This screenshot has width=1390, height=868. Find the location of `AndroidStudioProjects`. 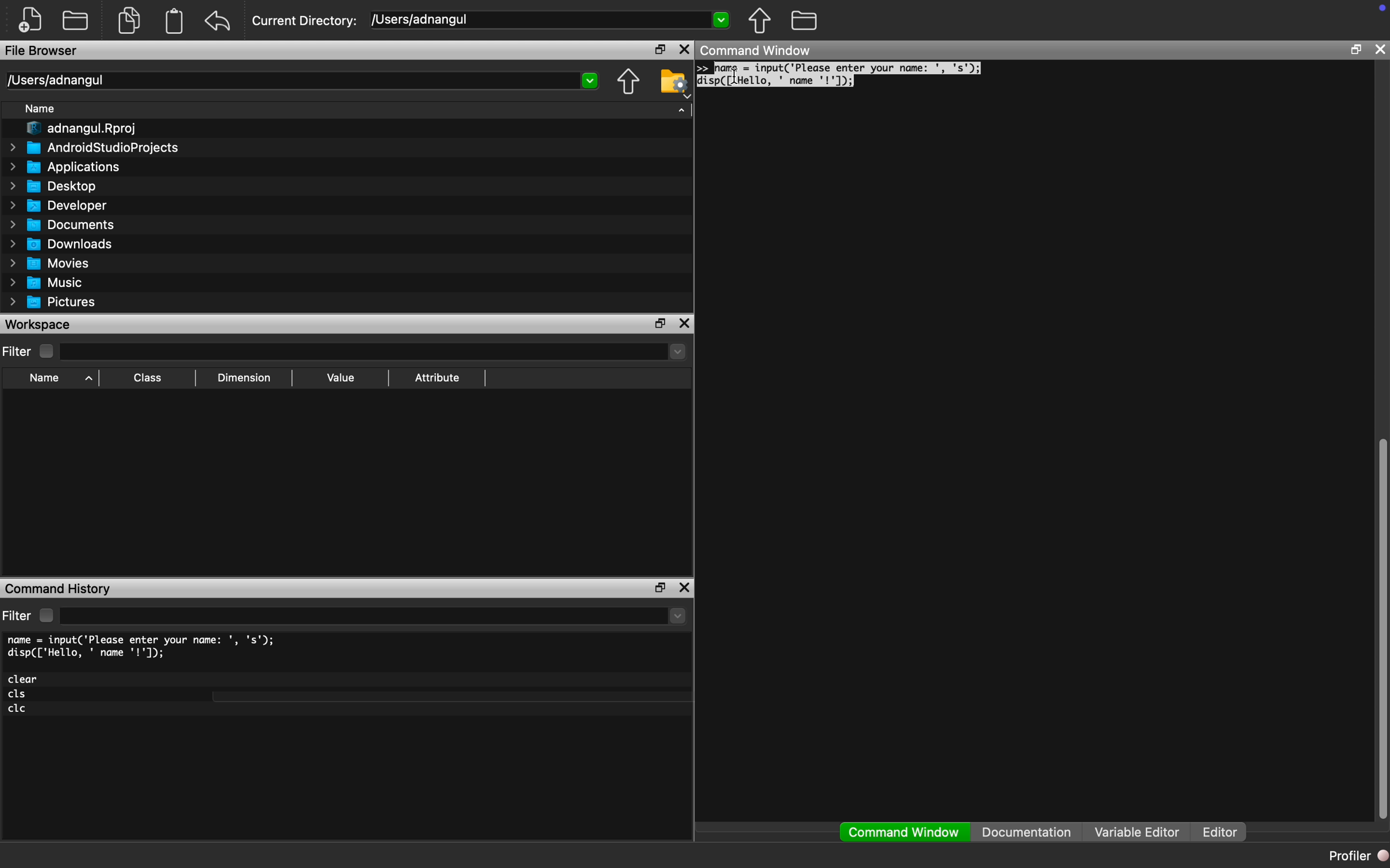

AndroidStudioProjects is located at coordinates (94, 147).